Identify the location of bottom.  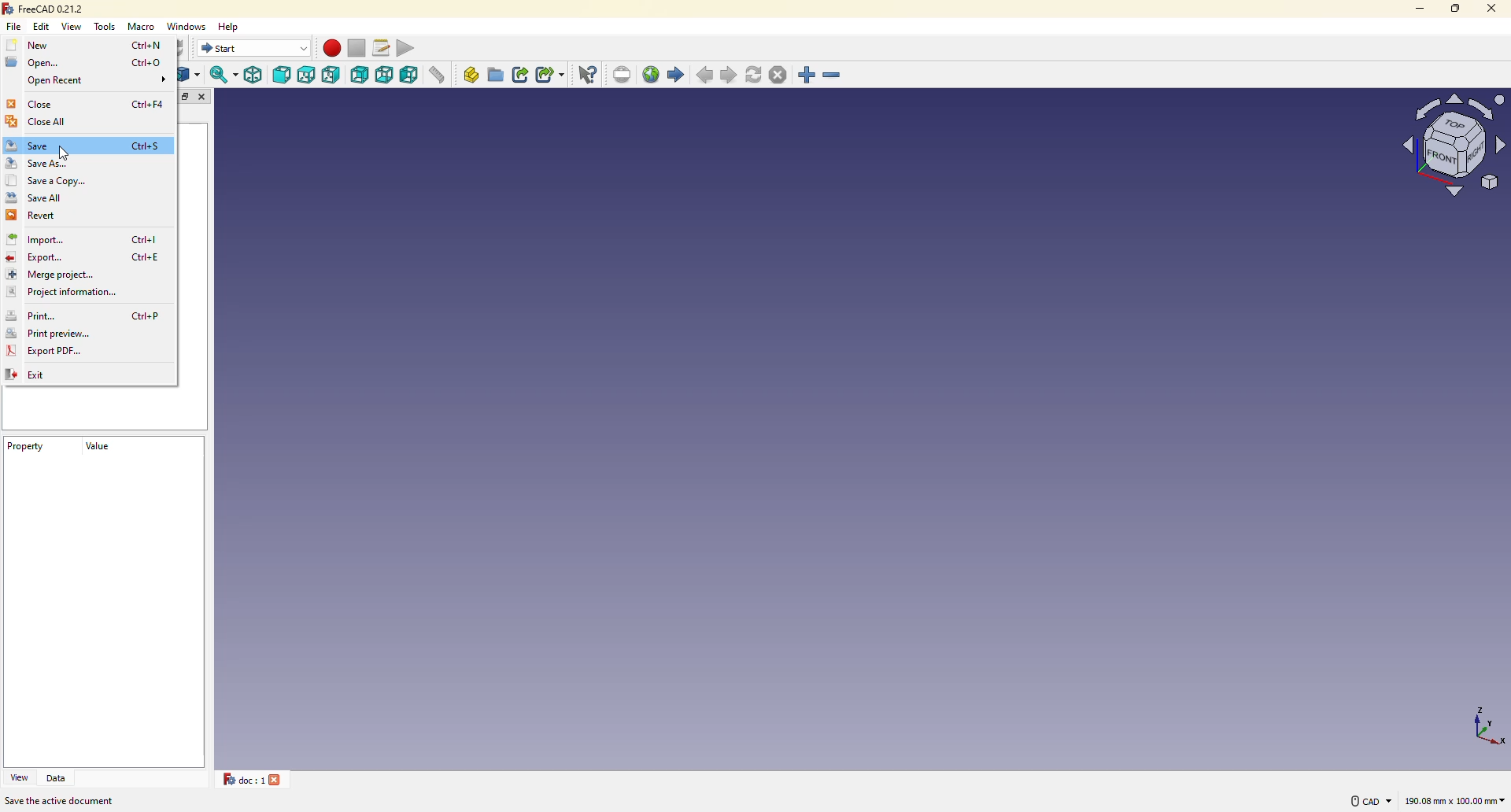
(386, 75).